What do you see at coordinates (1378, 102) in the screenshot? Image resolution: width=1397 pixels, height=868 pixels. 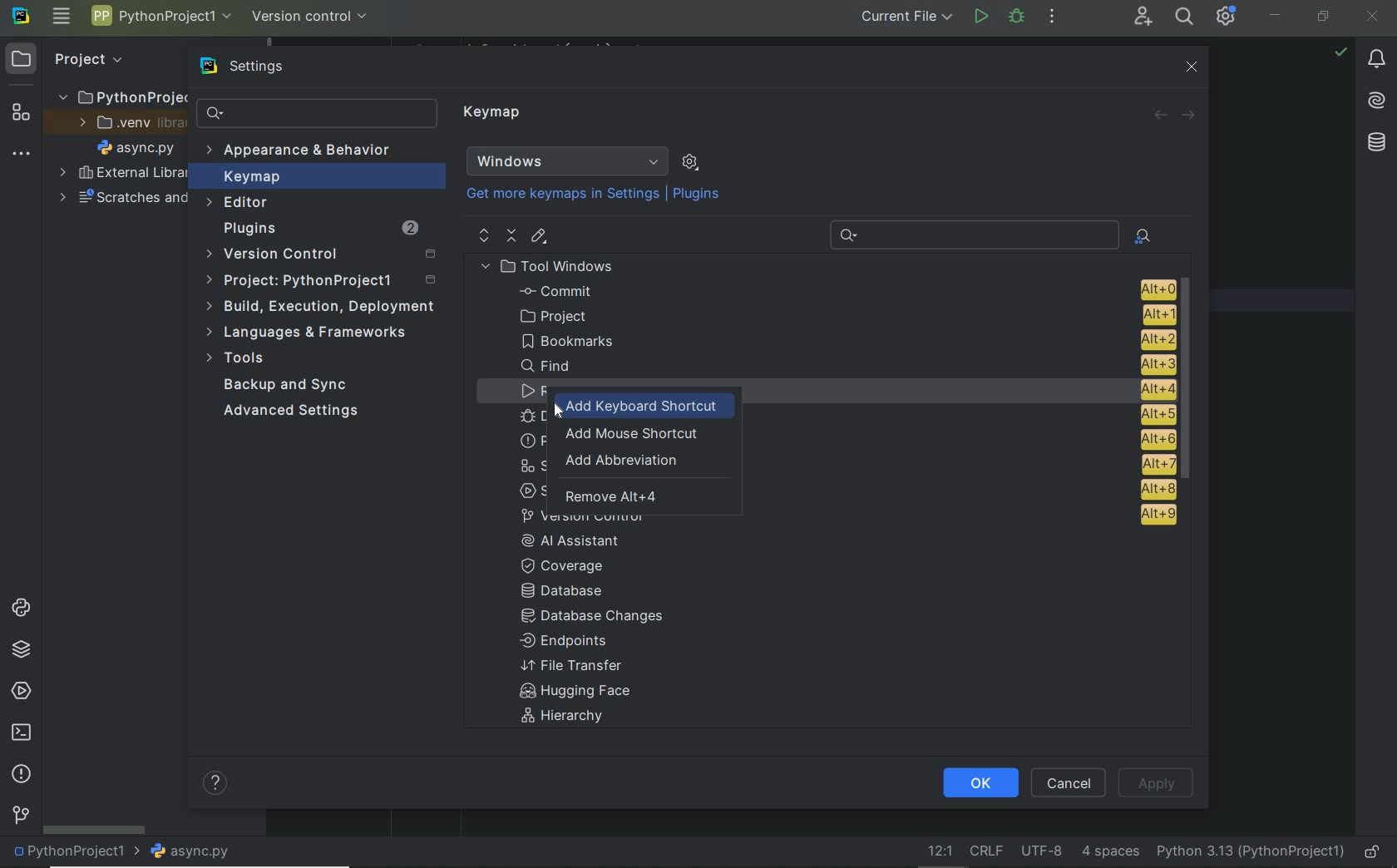 I see `AI Assistant` at bounding box center [1378, 102].